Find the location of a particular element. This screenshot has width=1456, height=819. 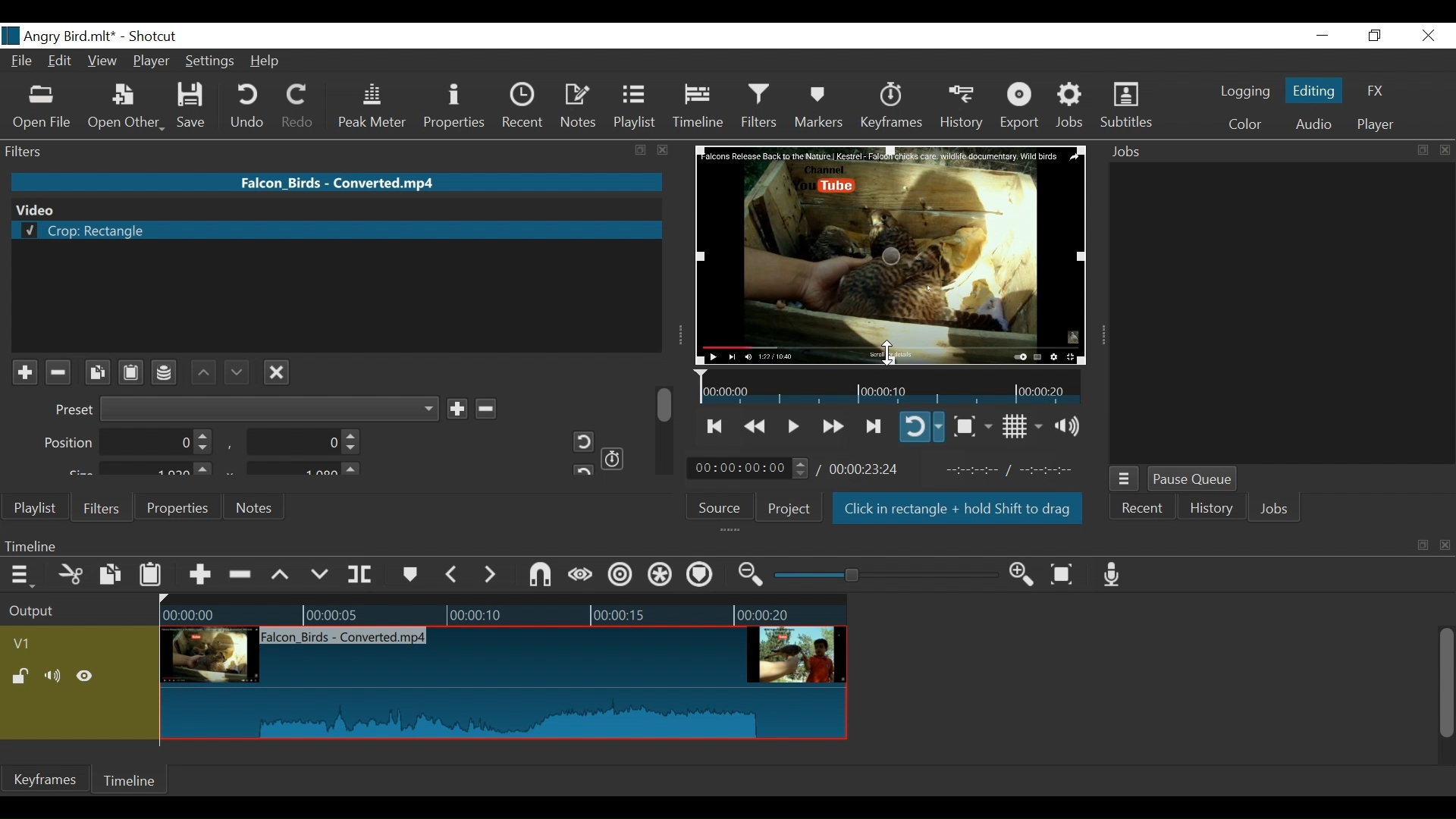

Zoom timeline in is located at coordinates (1026, 576).